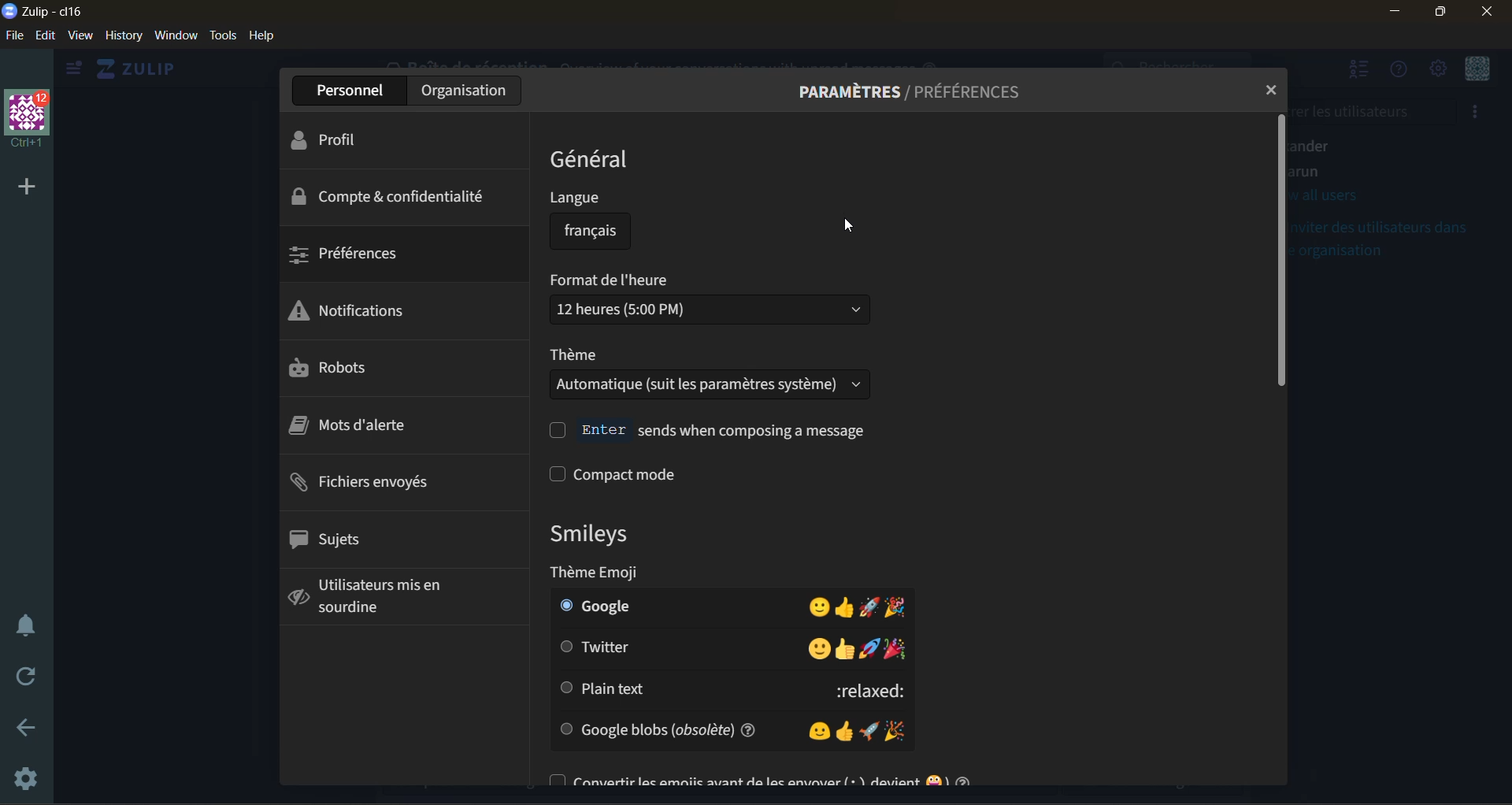 The image size is (1512, 805). I want to click on help menu, so click(1403, 76).